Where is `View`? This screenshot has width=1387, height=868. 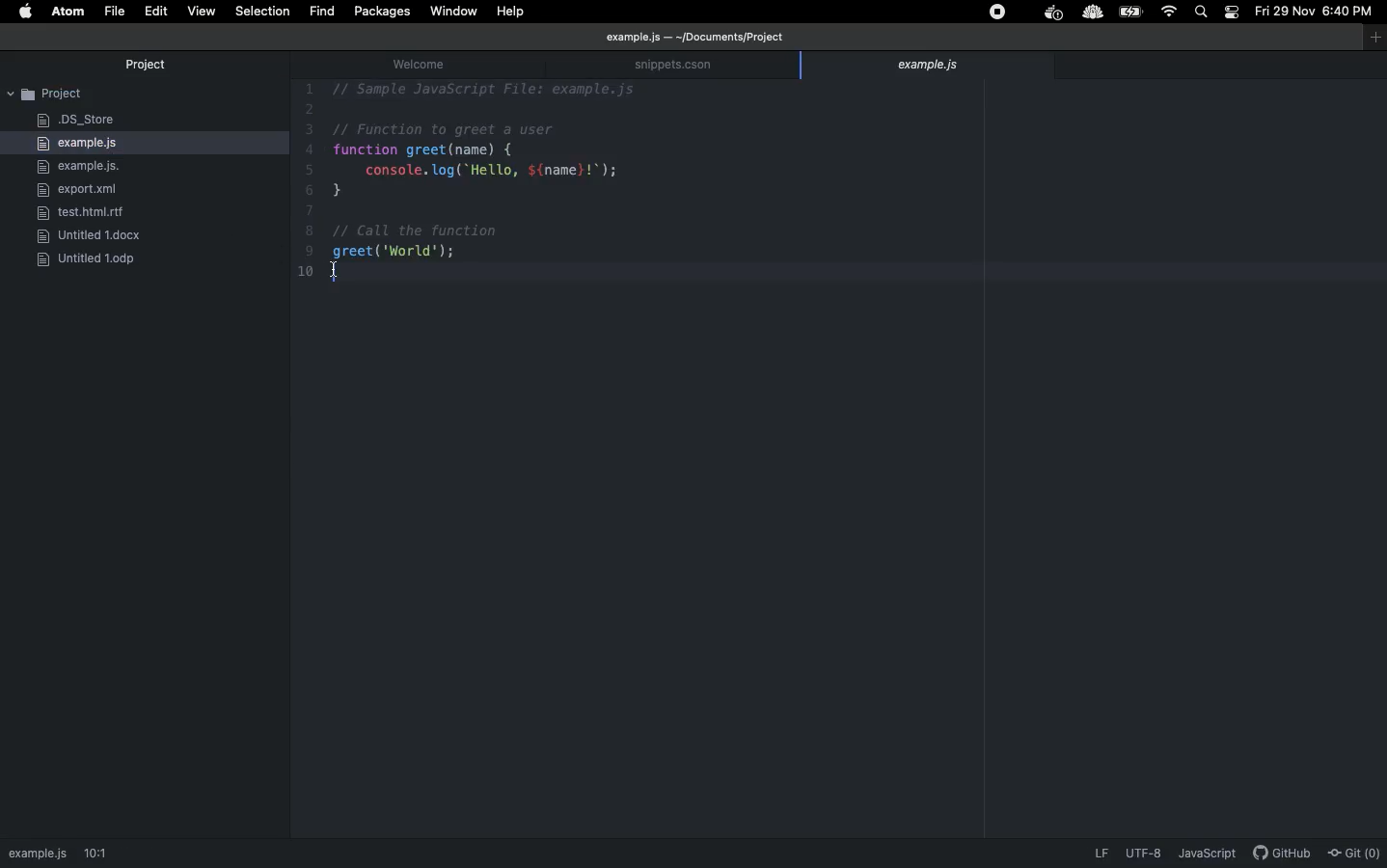 View is located at coordinates (202, 12).